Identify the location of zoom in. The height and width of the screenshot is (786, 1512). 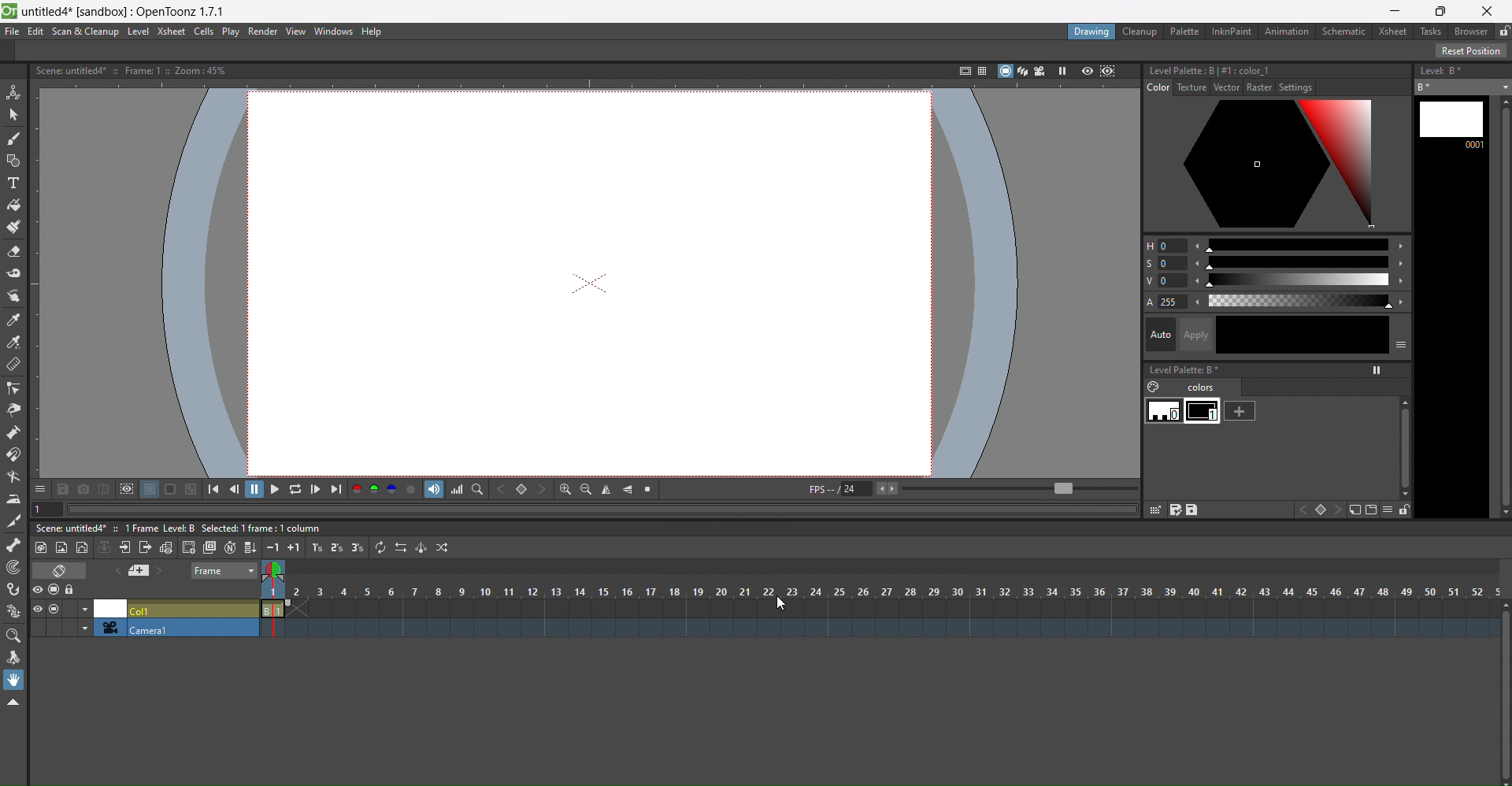
(565, 489).